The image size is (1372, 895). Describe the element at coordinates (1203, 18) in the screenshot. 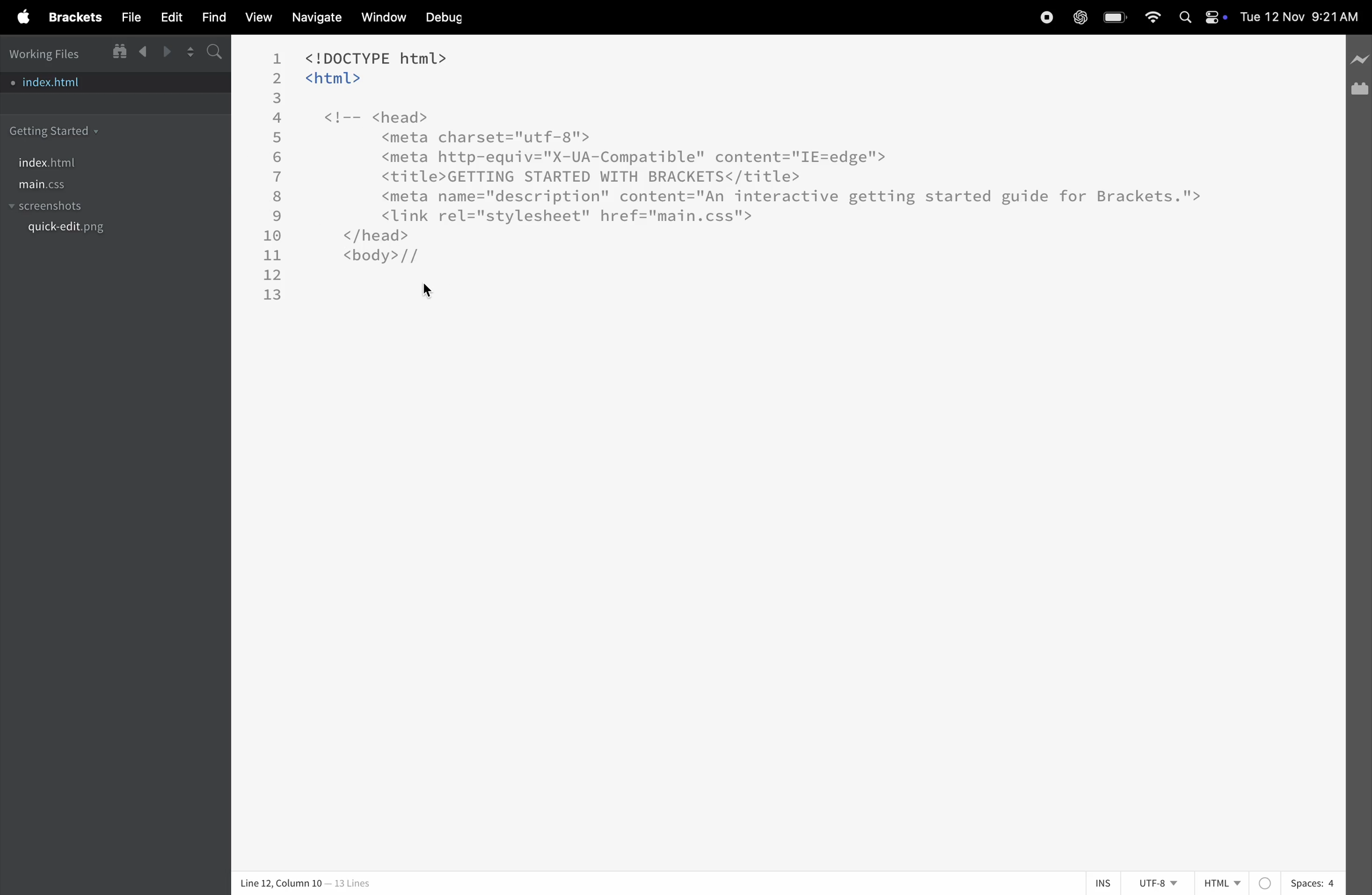

I see `apple widgets` at that location.